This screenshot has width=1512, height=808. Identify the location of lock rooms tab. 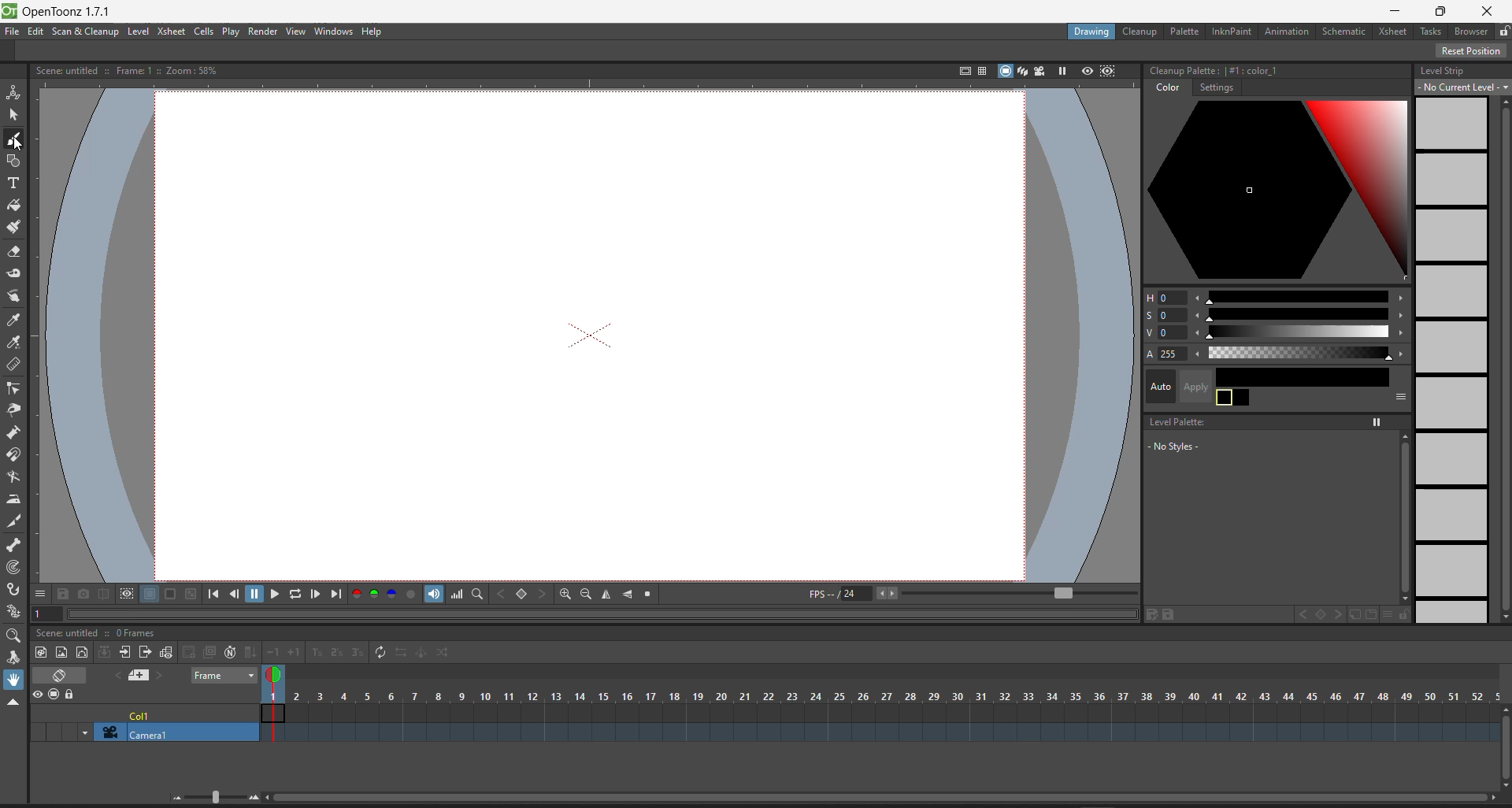
(1503, 32).